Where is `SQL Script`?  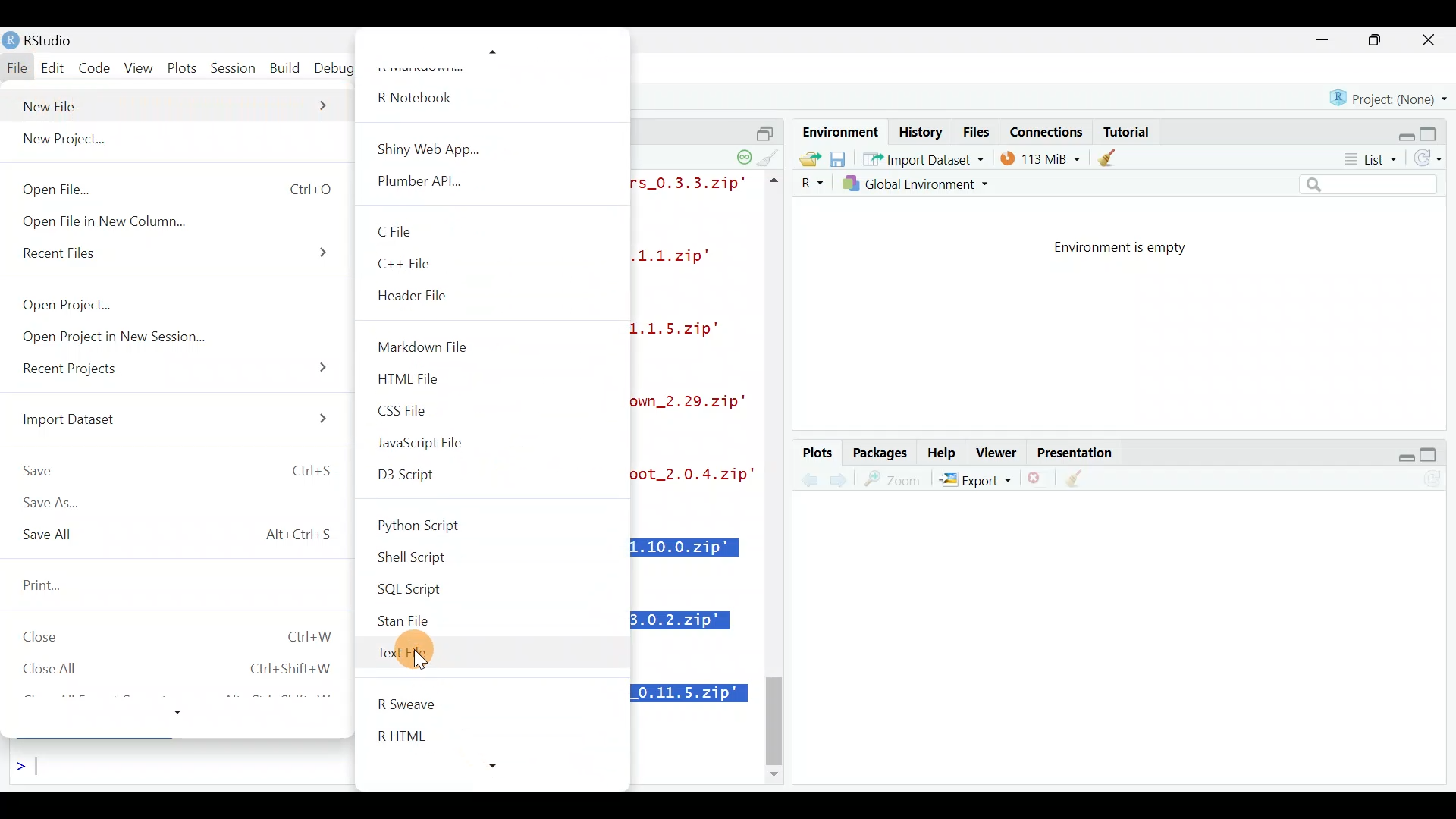 SQL Script is located at coordinates (413, 586).